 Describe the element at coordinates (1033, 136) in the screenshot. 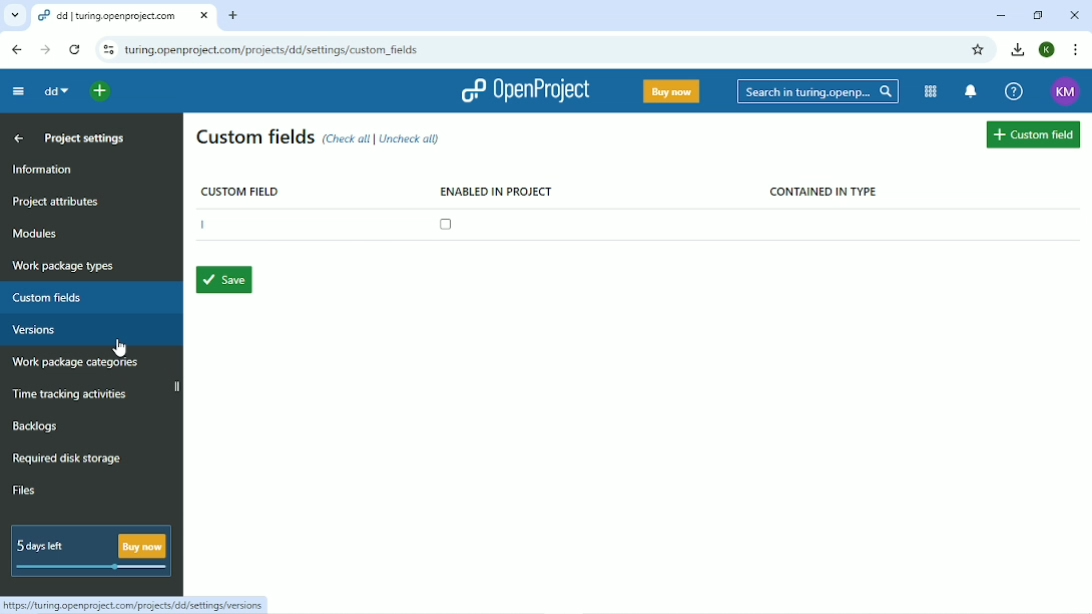

I see `Add custom field` at that location.